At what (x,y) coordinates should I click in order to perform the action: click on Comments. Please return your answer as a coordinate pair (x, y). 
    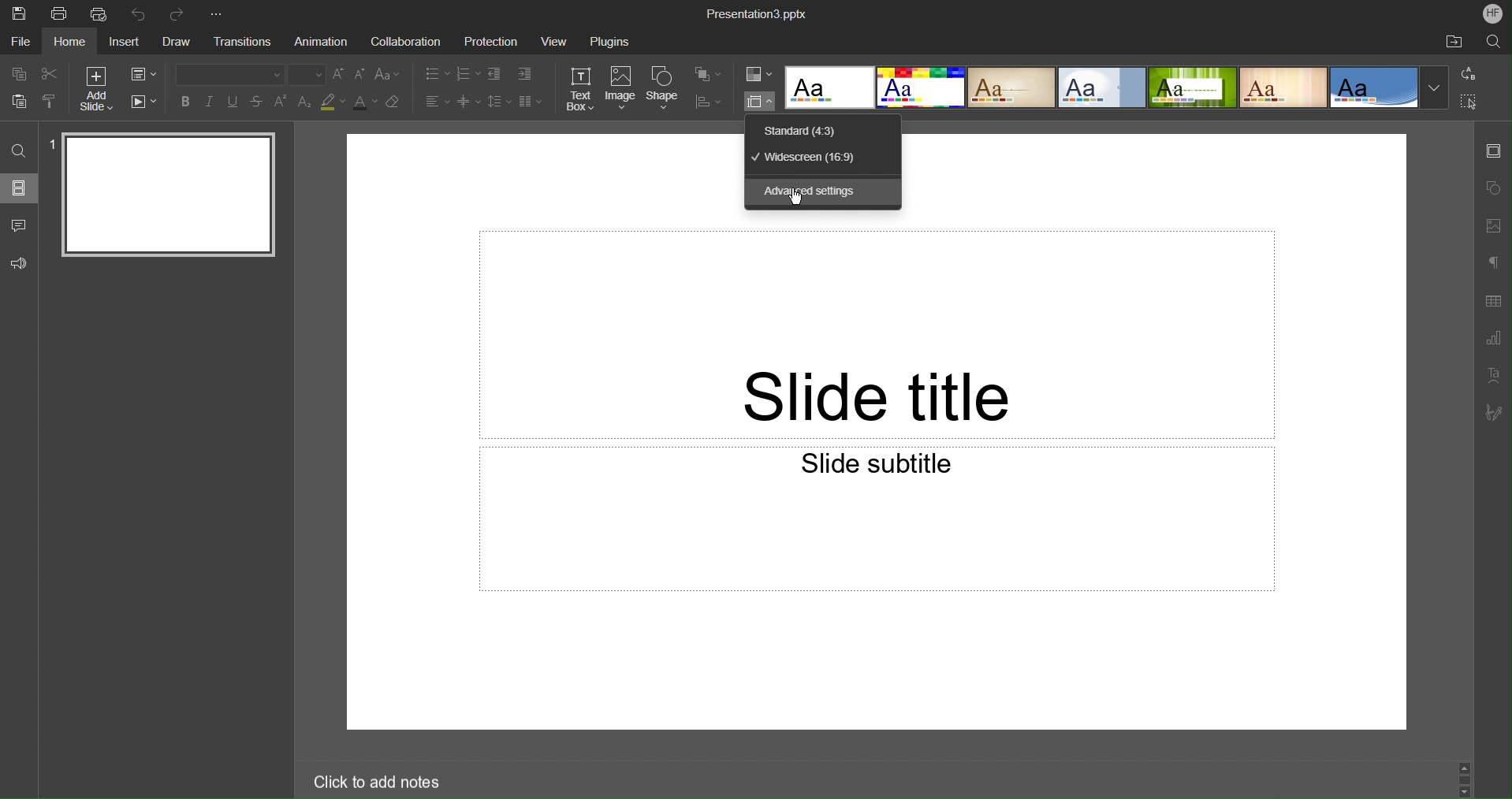
    Looking at the image, I should click on (17, 225).